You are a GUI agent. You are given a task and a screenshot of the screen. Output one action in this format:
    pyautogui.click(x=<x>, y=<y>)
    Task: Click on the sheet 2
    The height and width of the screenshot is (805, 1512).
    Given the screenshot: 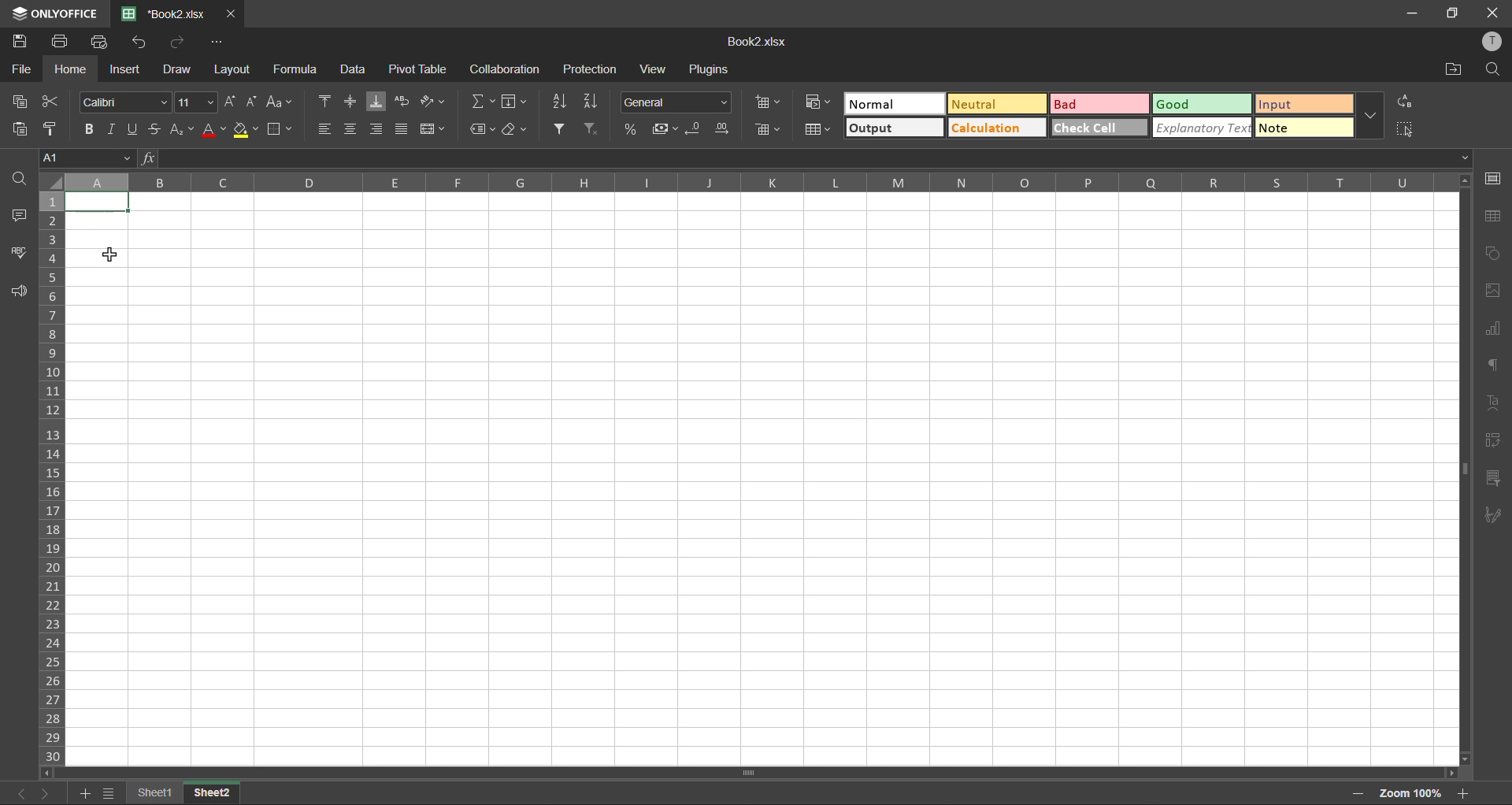 What is the action you would take?
    pyautogui.click(x=213, y=792)
    